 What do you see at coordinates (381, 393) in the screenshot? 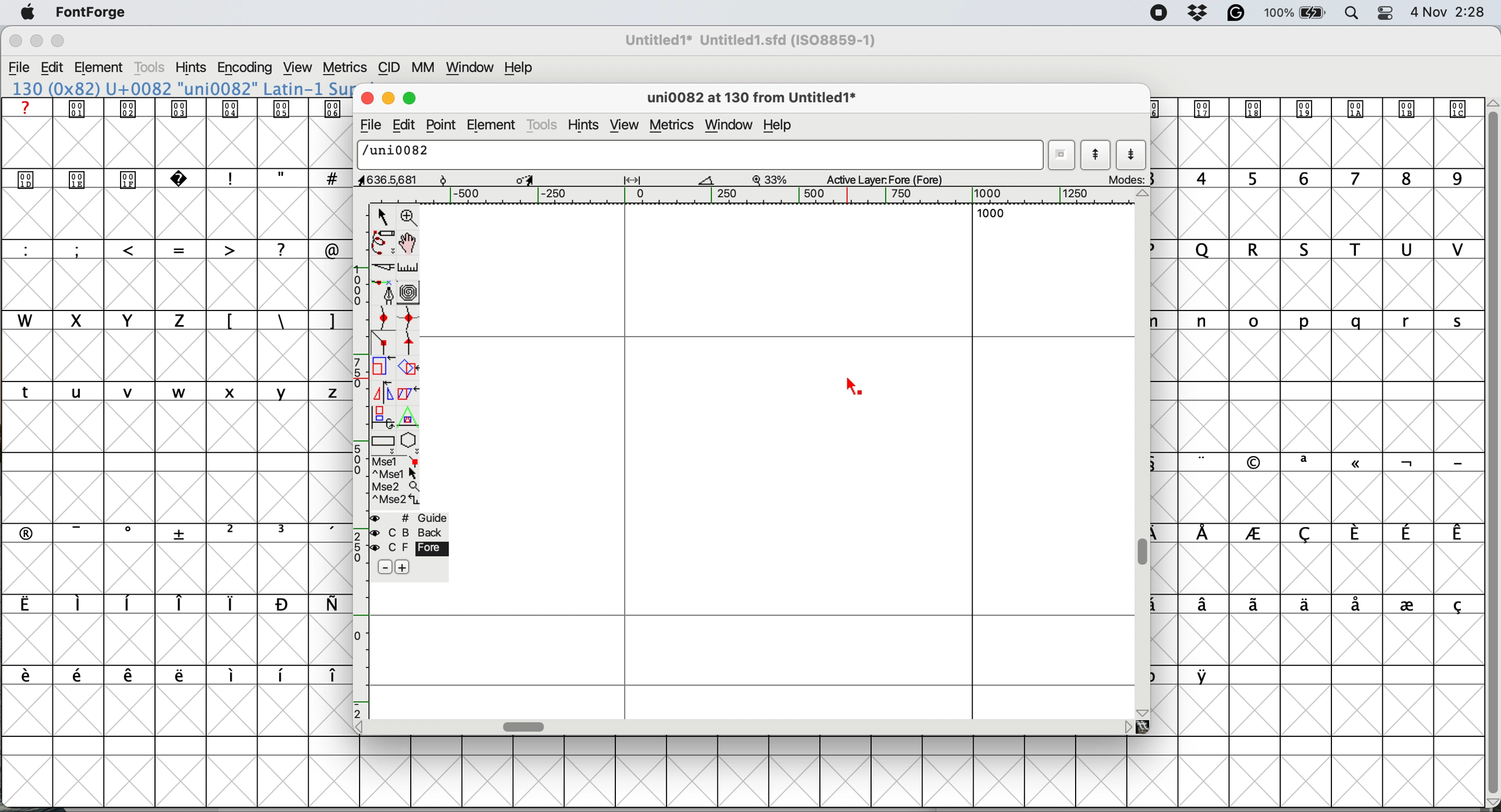
I see `flip the selection` at bounding box center [381, 393].